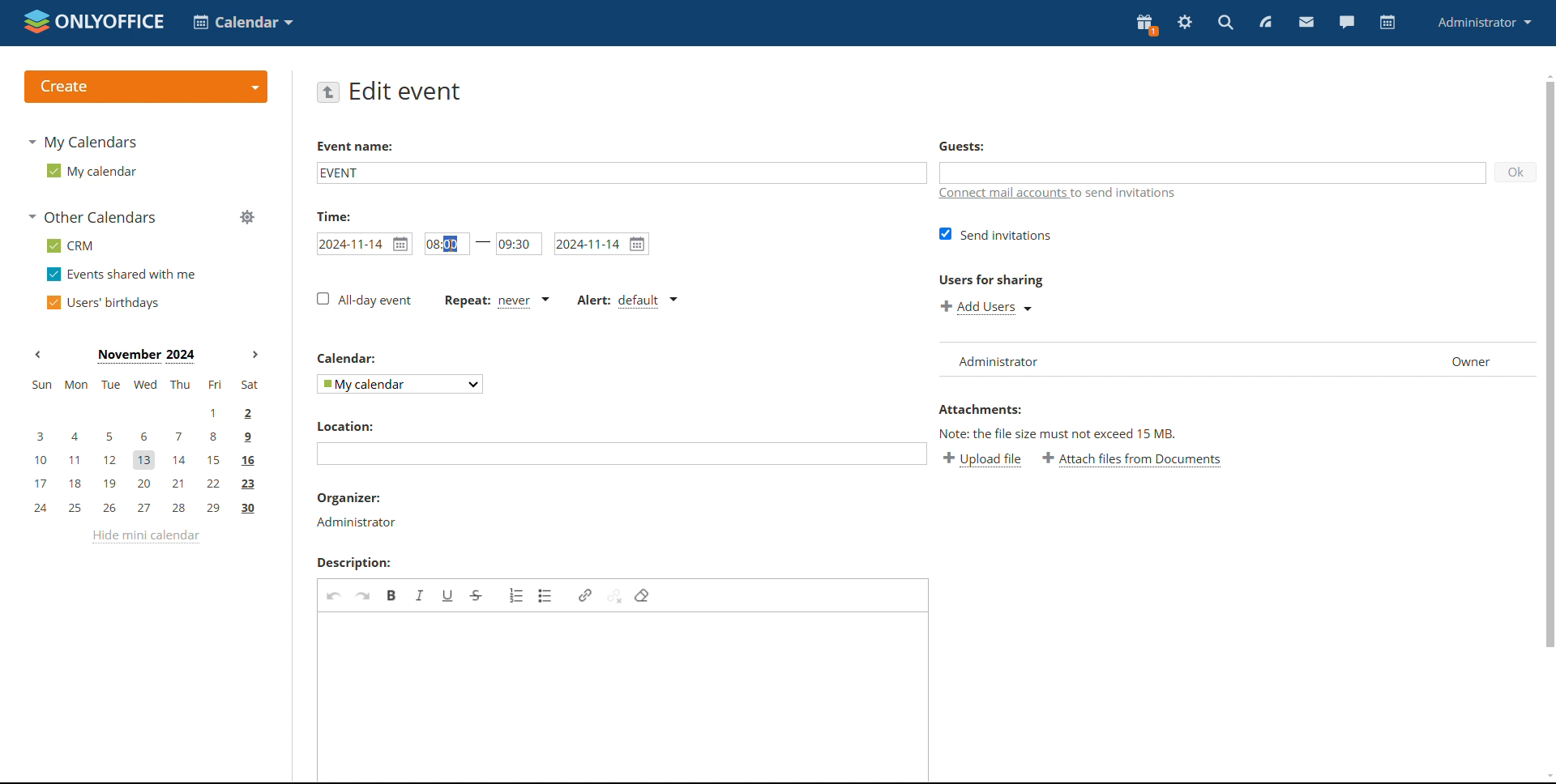 The width and height of the screenshot is (1556, 784). What do you see at coordinates (355, 523) in the screenshot?
I see `Administrator` at bounding box center [355, 523].